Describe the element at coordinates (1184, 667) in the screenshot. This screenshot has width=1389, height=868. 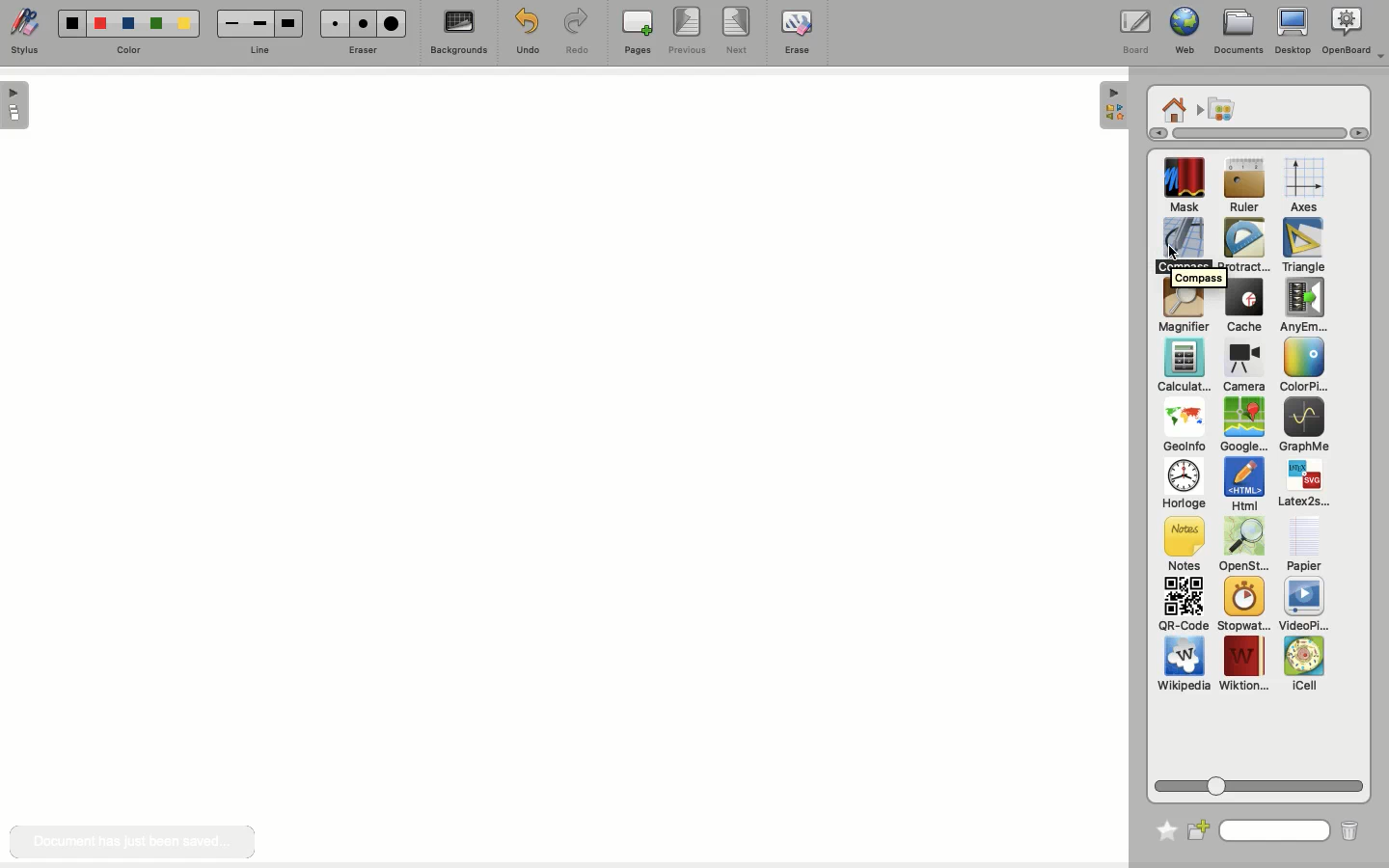
I see `Wikipedia` at that location.